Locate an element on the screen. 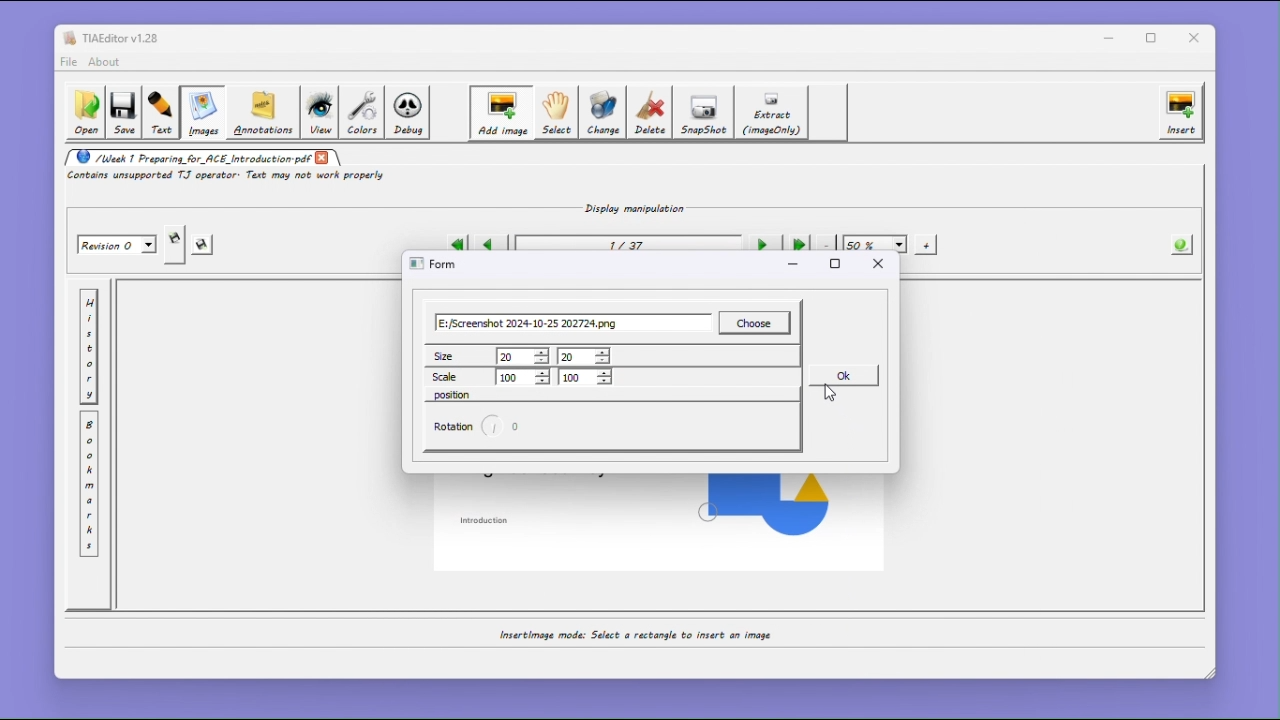 Image resolution: width=1280 pixels, height=720 pixels. 20 is located at coordinates (584, 356).